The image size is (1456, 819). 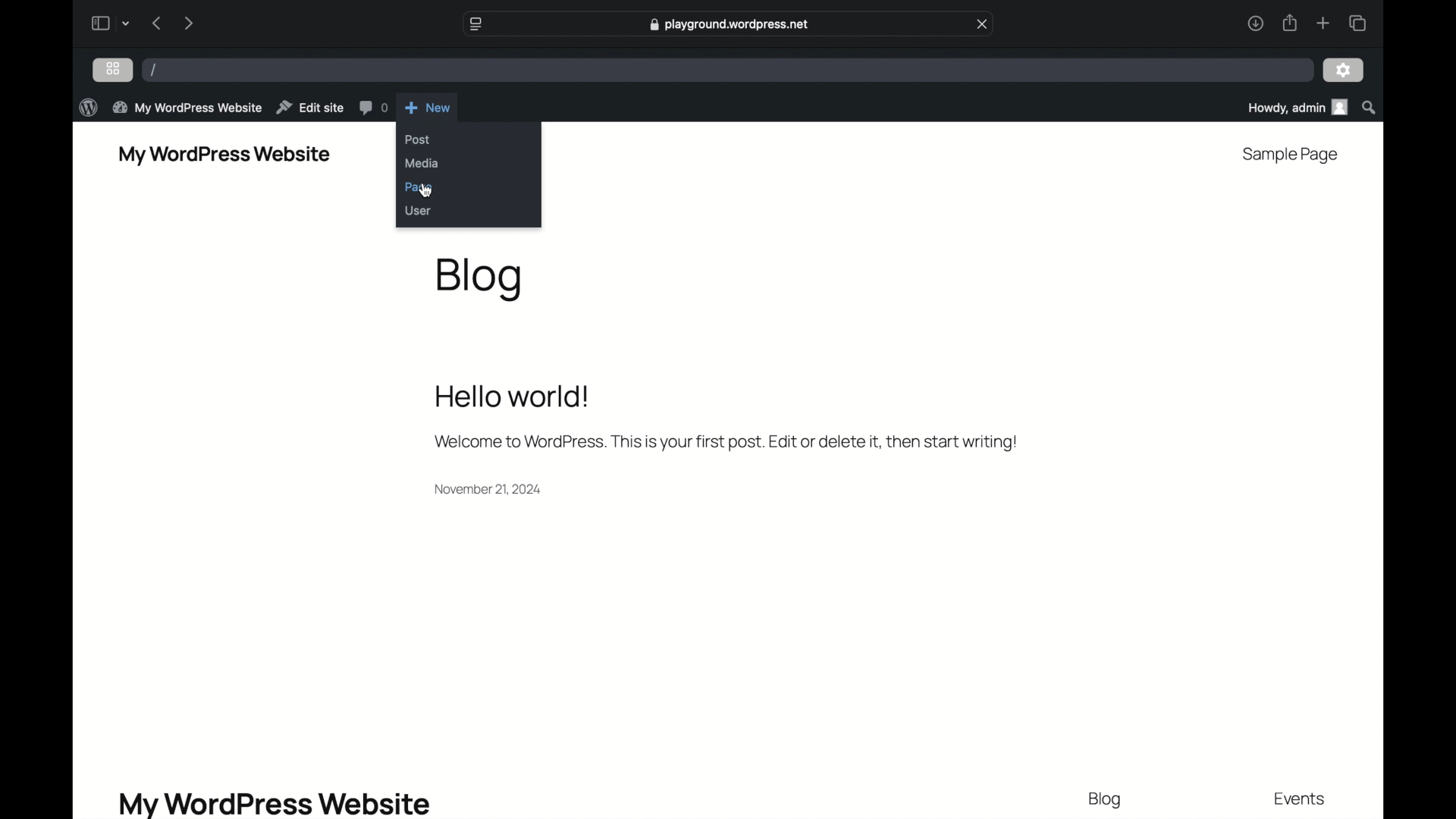 What do you see at coordinates (1288, 155) in the screenshot?
I see `sample page` at bounding box center [1288, 155].